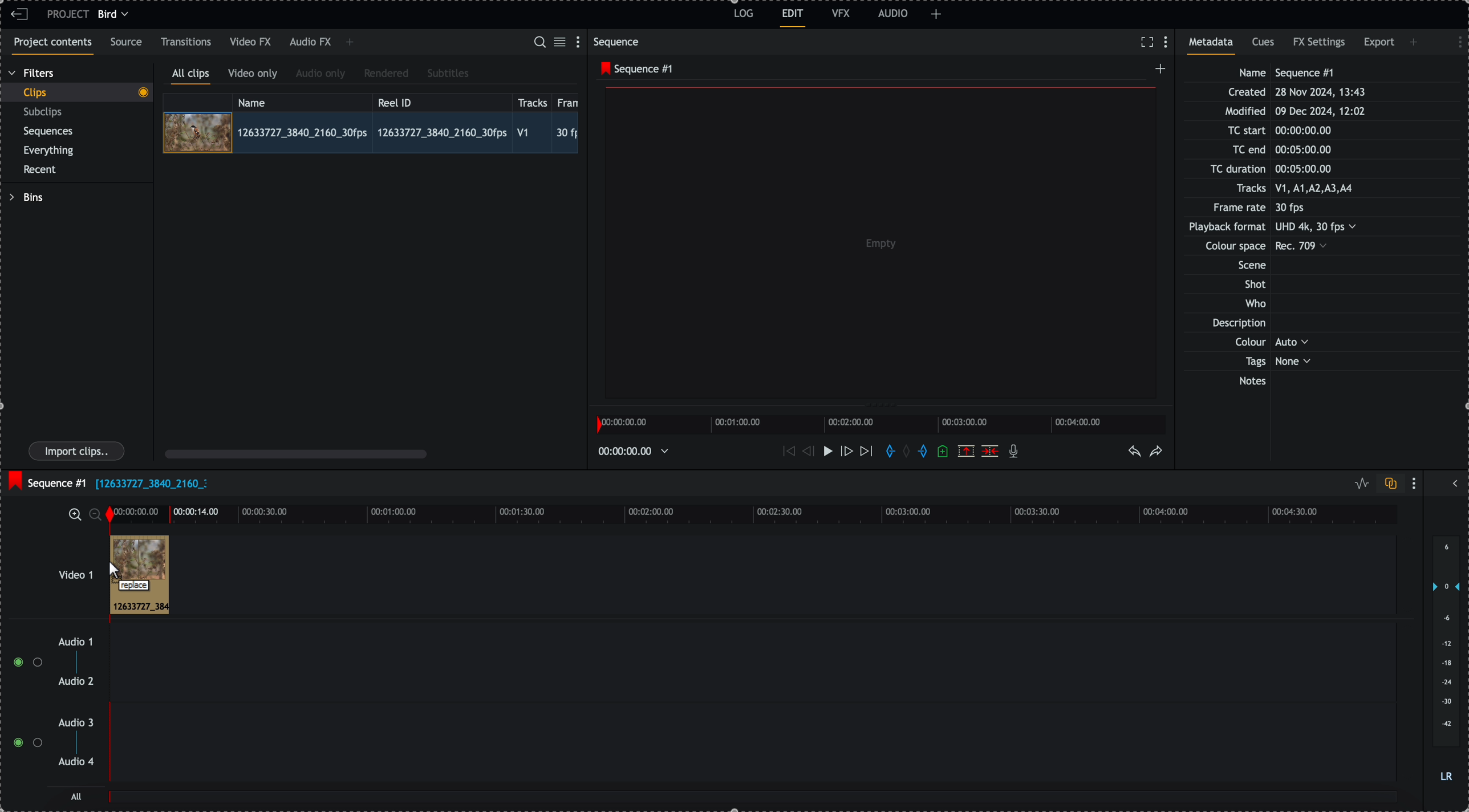  I want to click on all, so click(77, 796).